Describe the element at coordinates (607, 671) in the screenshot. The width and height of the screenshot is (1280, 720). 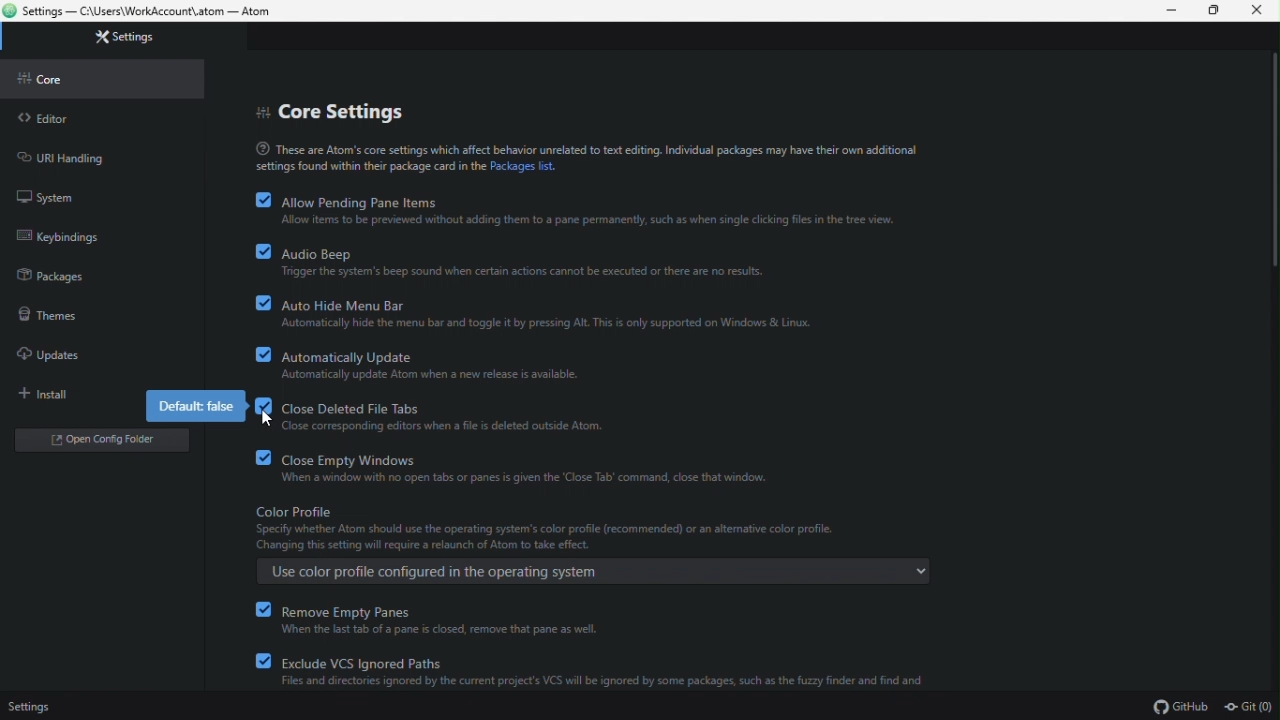
I see `exclude VCS ignored paths` at that location.